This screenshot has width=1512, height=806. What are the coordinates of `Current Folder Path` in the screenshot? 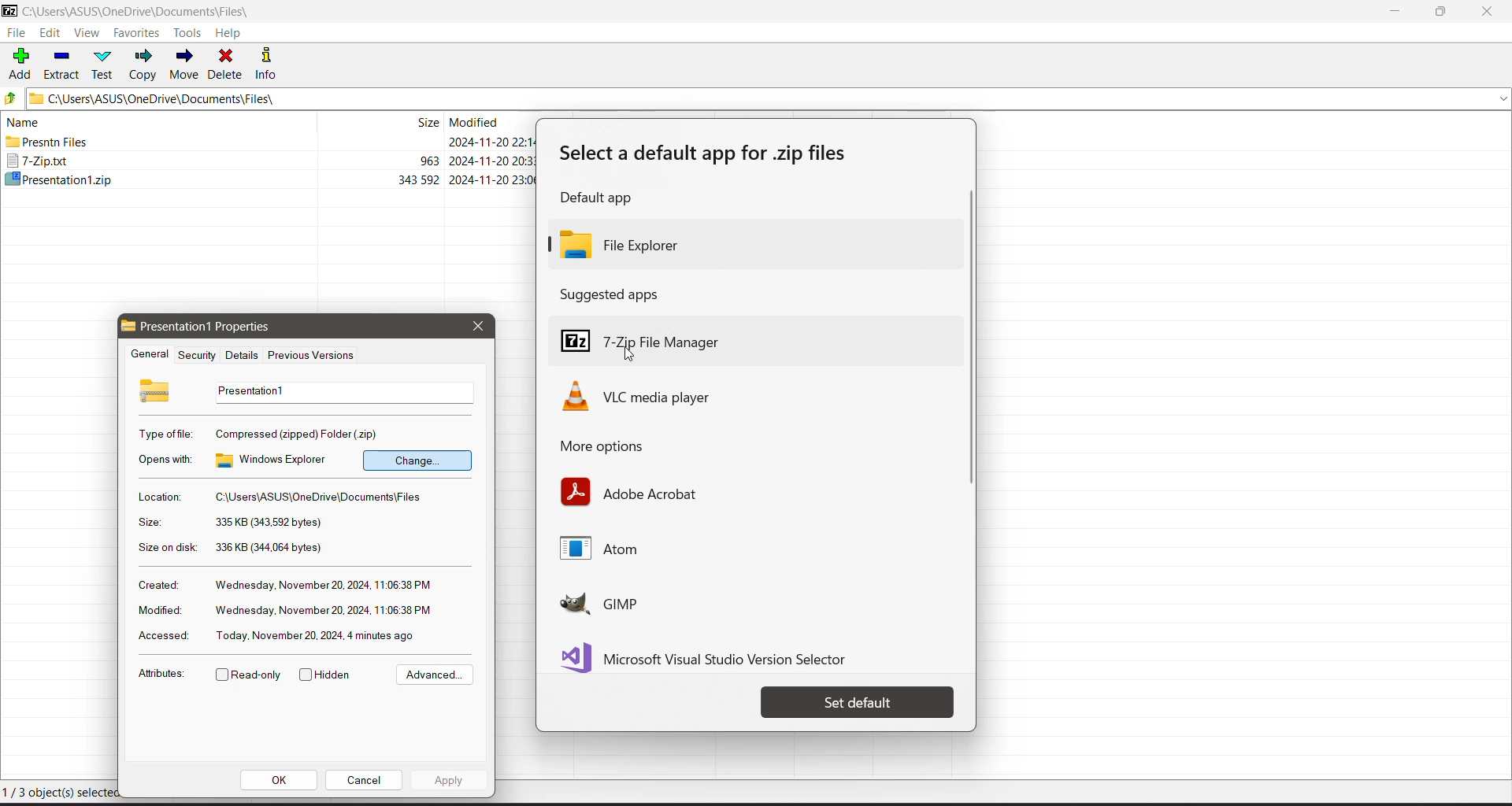 It's located at (769, 98).